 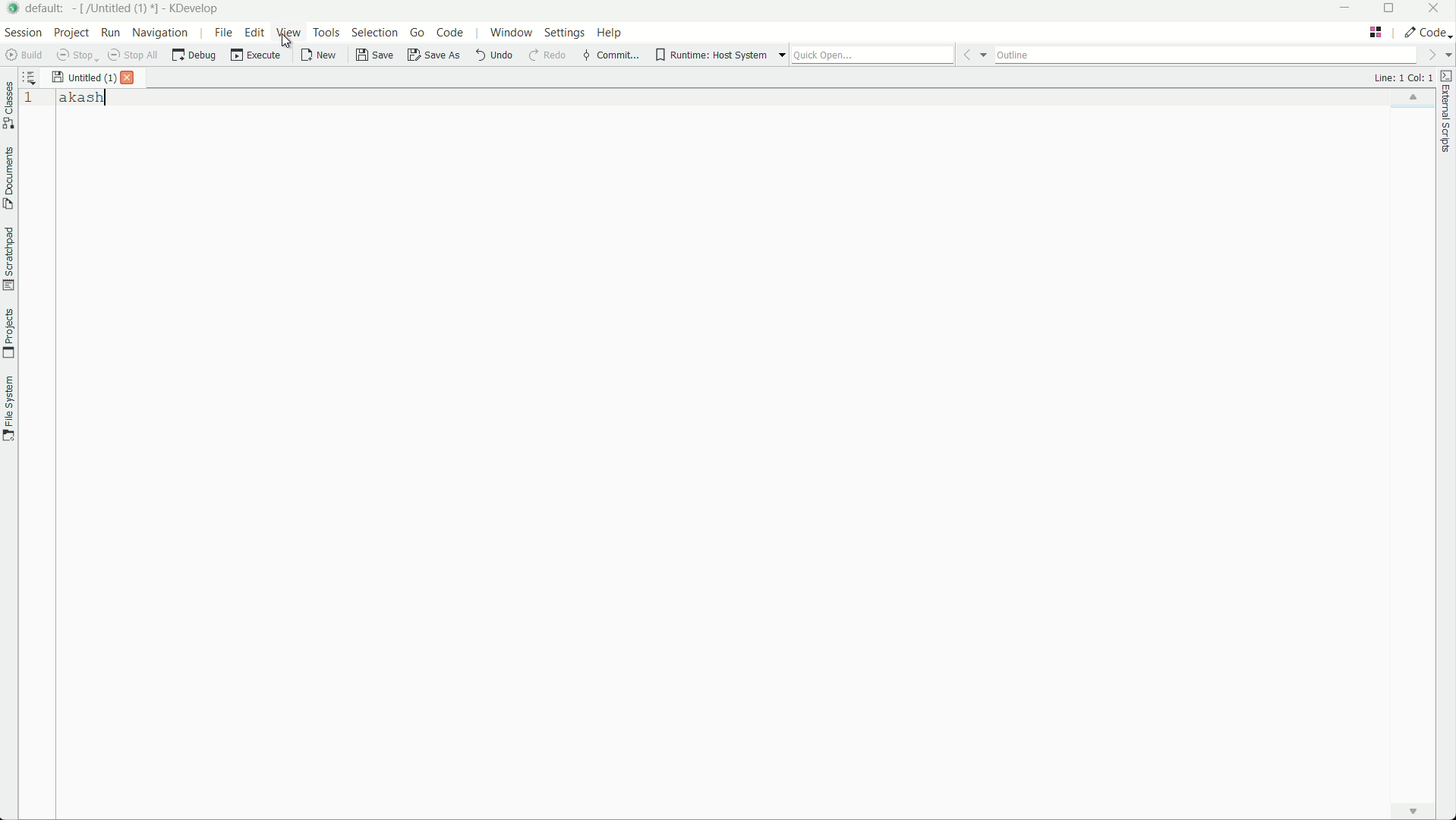 I want to click on build, so click(x=23, y=55).